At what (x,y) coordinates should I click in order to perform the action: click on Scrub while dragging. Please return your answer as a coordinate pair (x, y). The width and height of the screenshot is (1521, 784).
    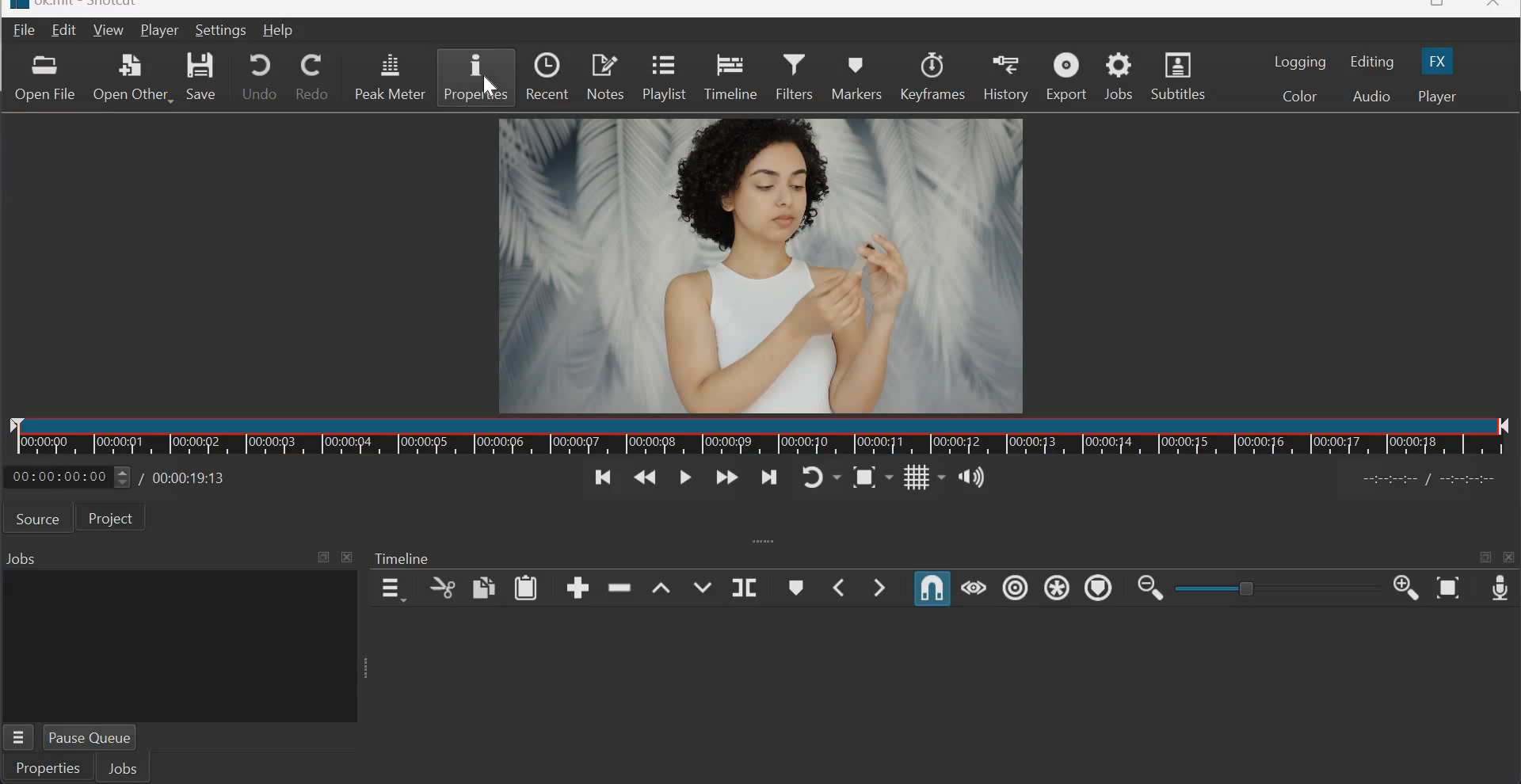
    Looking at the image, I should click on (974, 588).